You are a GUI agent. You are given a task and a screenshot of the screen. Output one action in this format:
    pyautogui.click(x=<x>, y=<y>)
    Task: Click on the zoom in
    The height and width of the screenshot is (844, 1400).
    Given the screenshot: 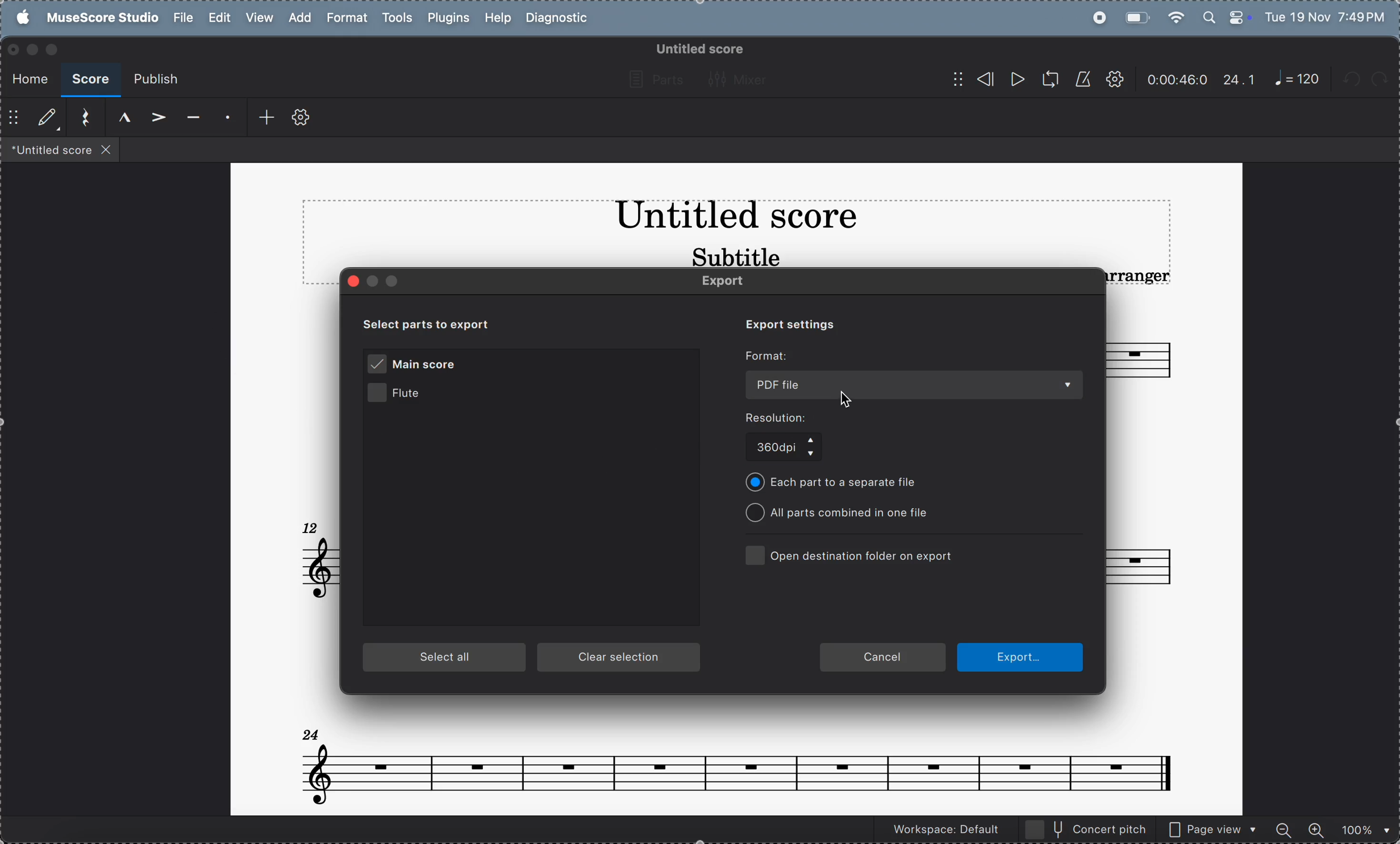 What is the action you would take?
    pyautogui.click(x=1315, y=828)
    